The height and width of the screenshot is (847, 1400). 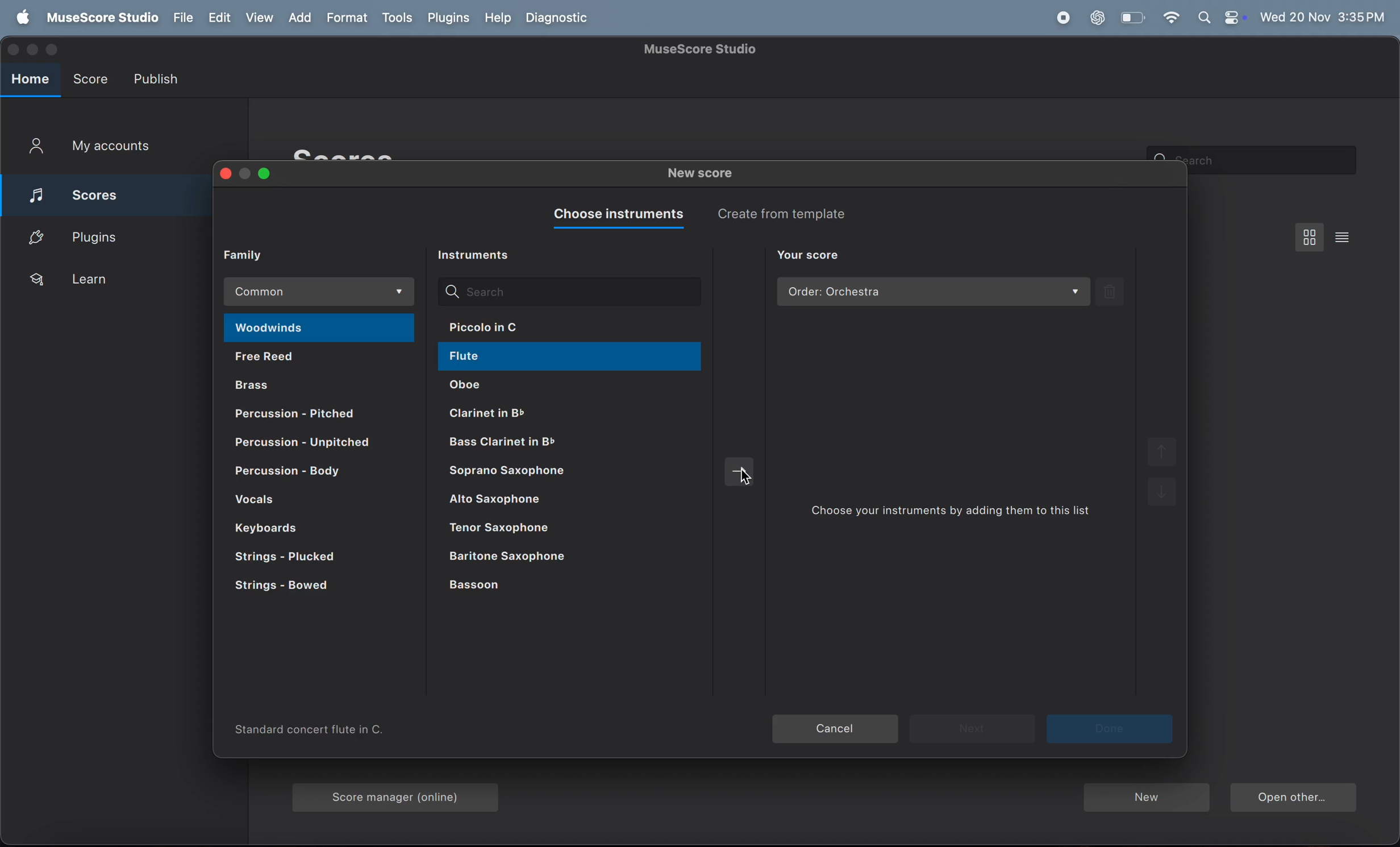 I want to click on maximize, so click(x=266, y=175).